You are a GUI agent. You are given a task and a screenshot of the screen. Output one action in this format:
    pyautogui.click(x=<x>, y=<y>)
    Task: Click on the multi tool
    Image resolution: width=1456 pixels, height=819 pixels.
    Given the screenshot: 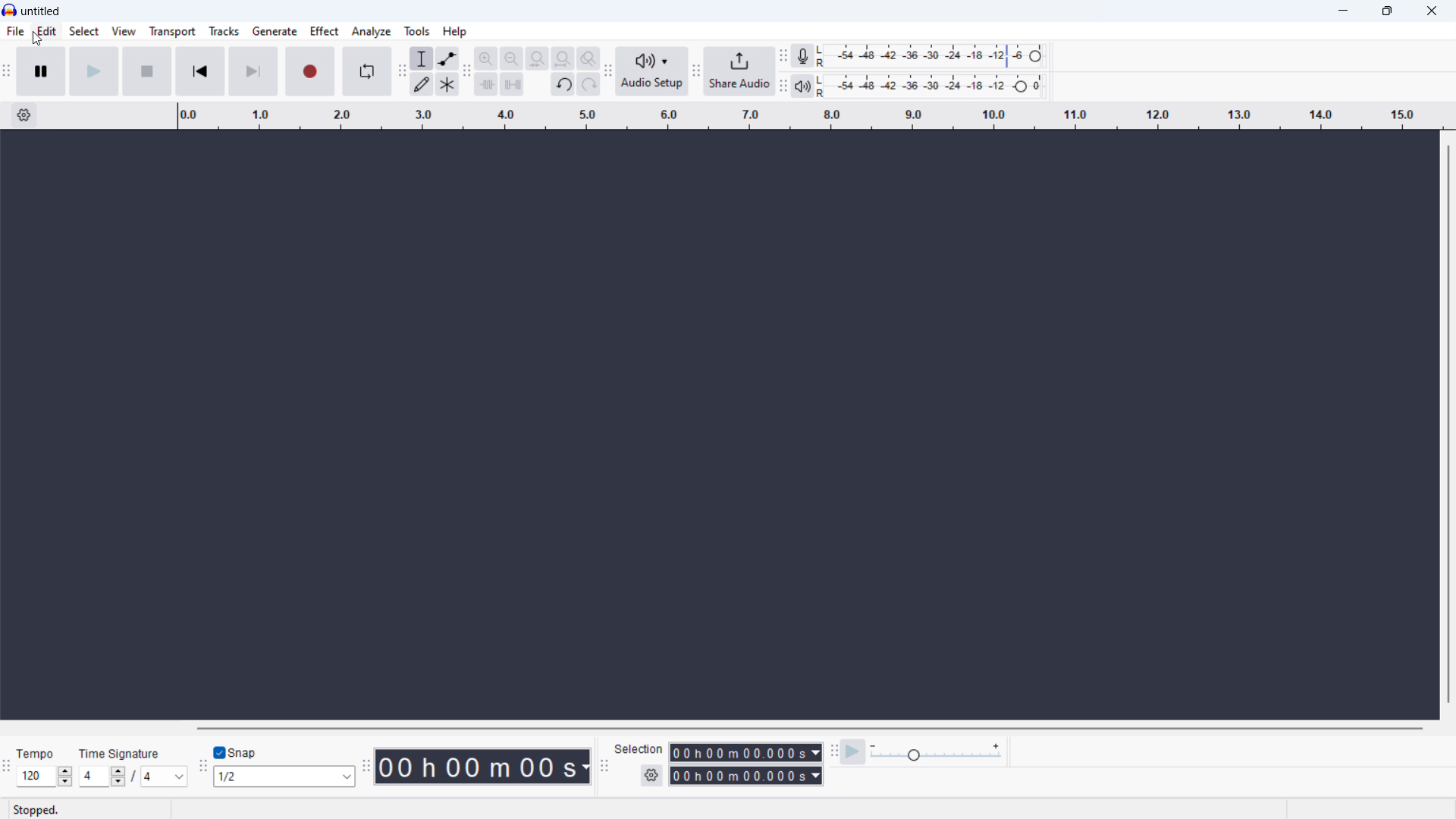 What is the action you would take?
    pyautogui.click(x=447, y=84)
    